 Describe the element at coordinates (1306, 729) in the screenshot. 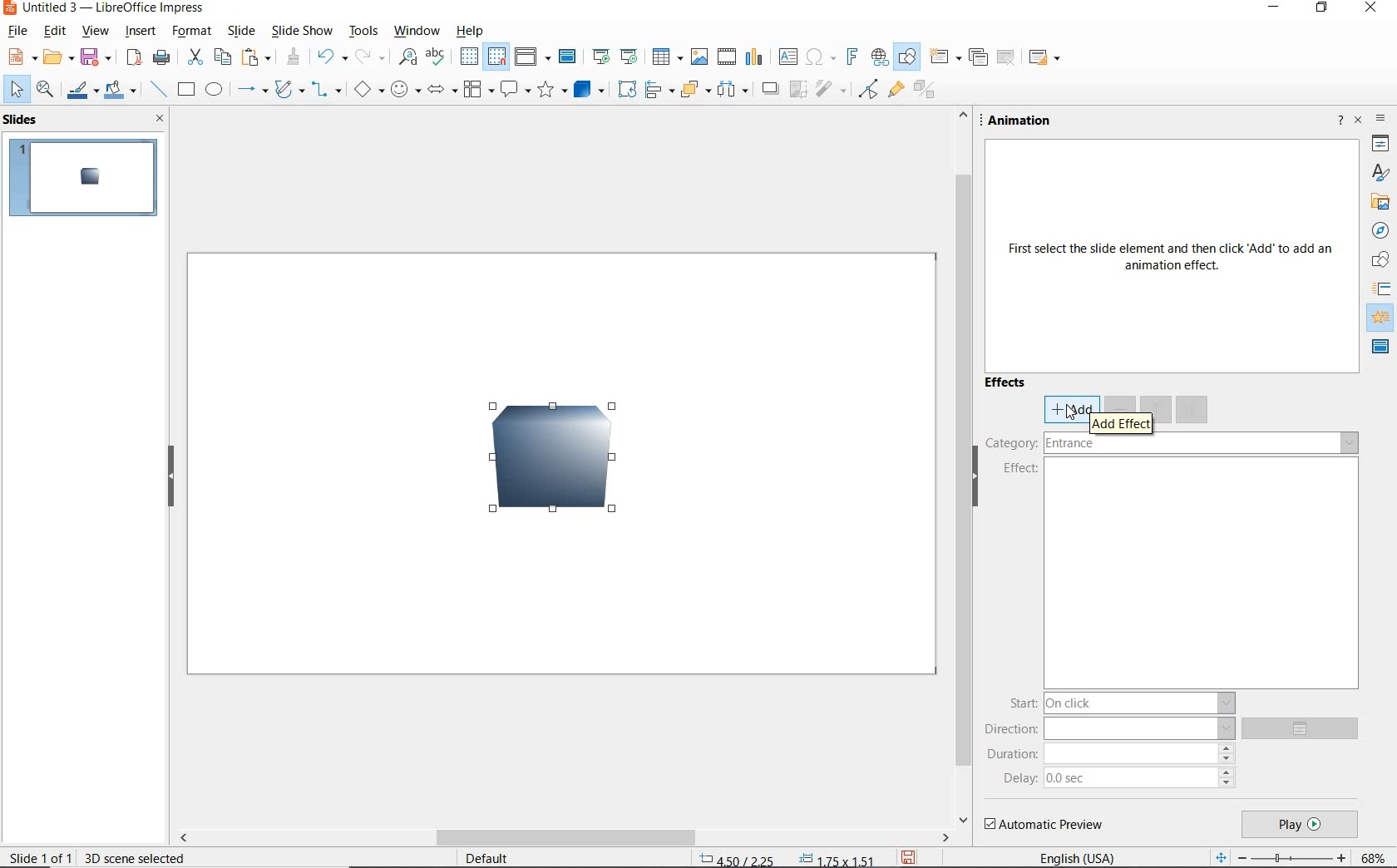

I see `options` at that location.